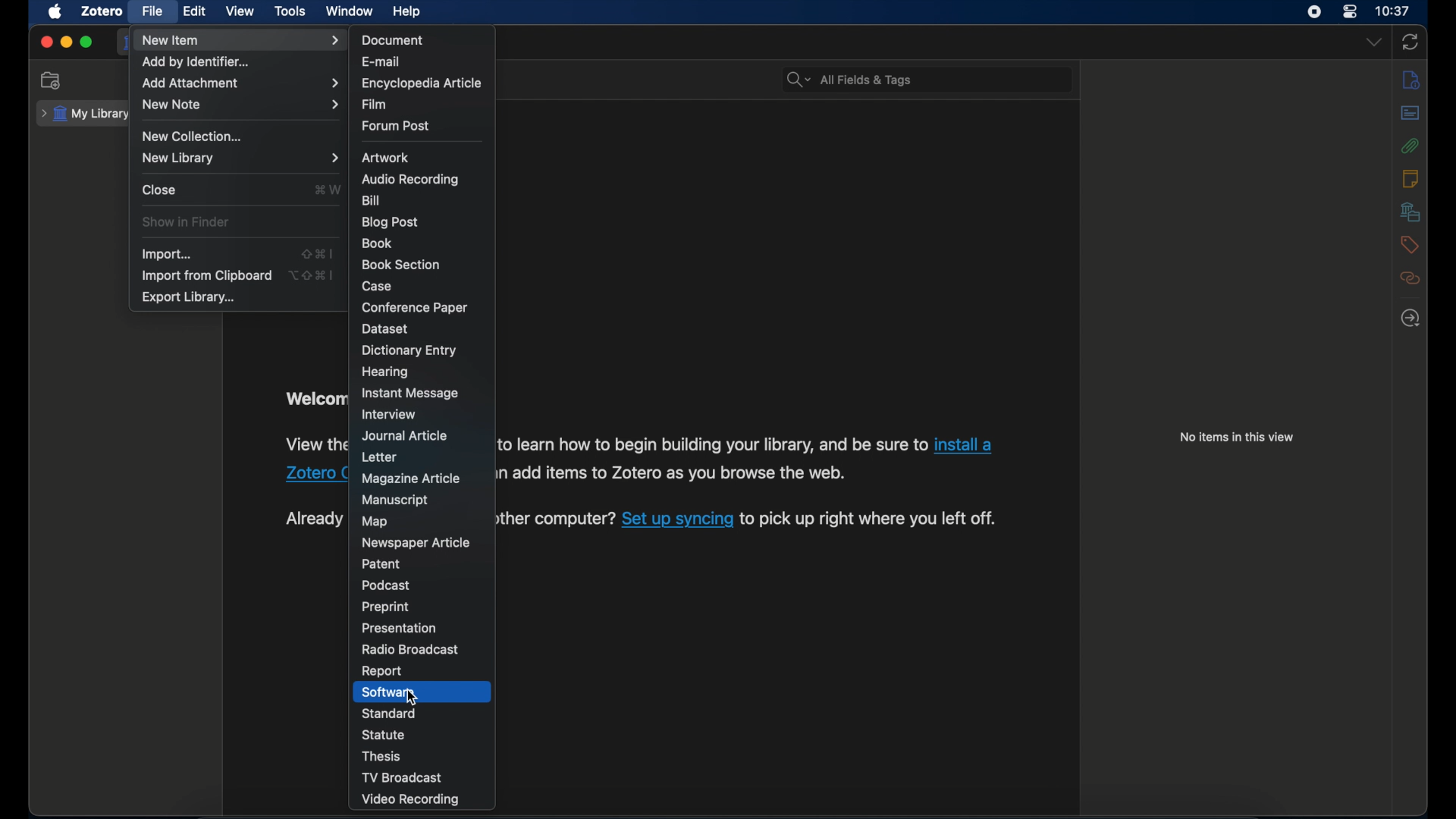 This screenshot has width=1456, height=819. Describe the element at coordinates (408, 350) in the screenshot. I see `dictionary entry` at that location.